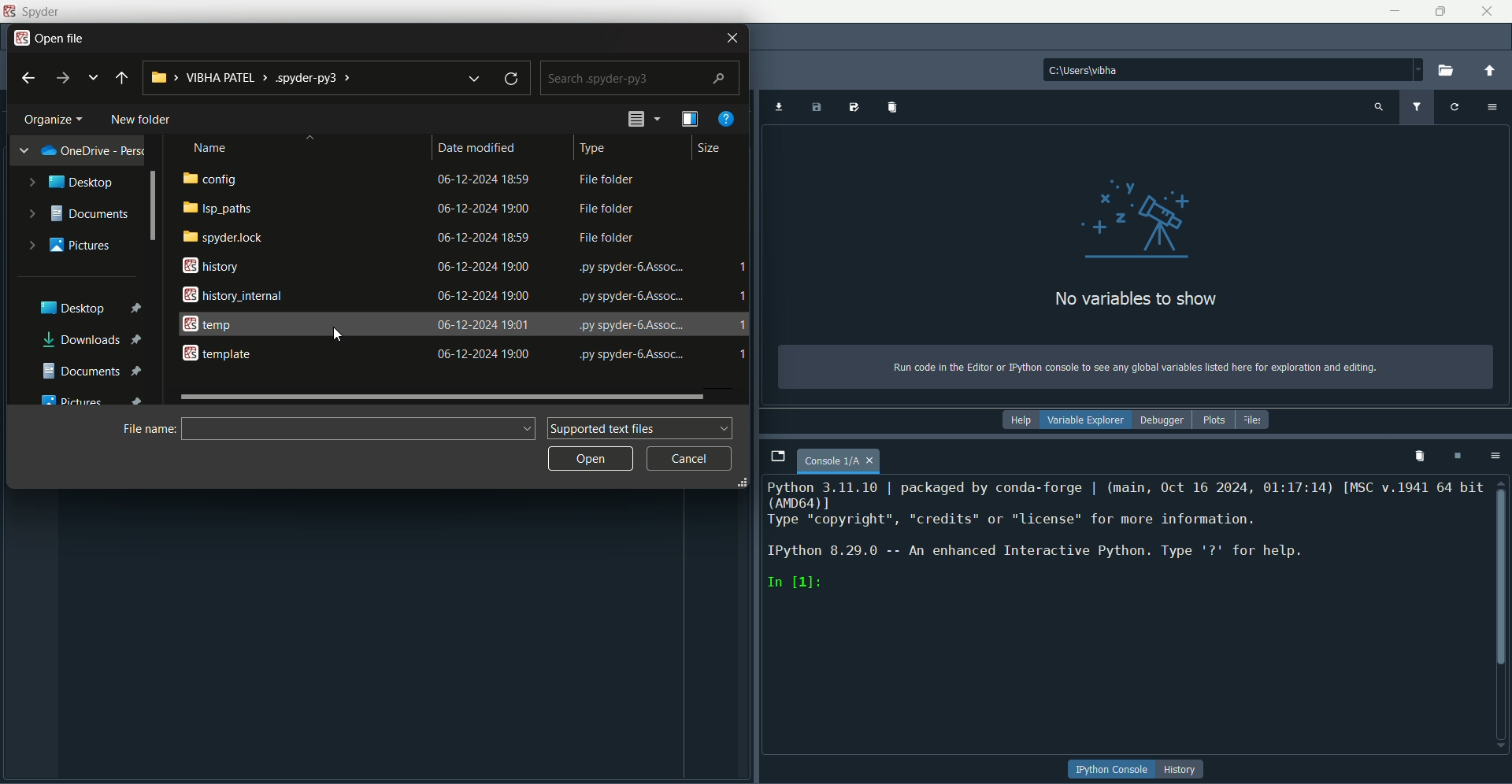 This screenshot has height=784, width=1512. I want to click on remove, so click(1421, 457).